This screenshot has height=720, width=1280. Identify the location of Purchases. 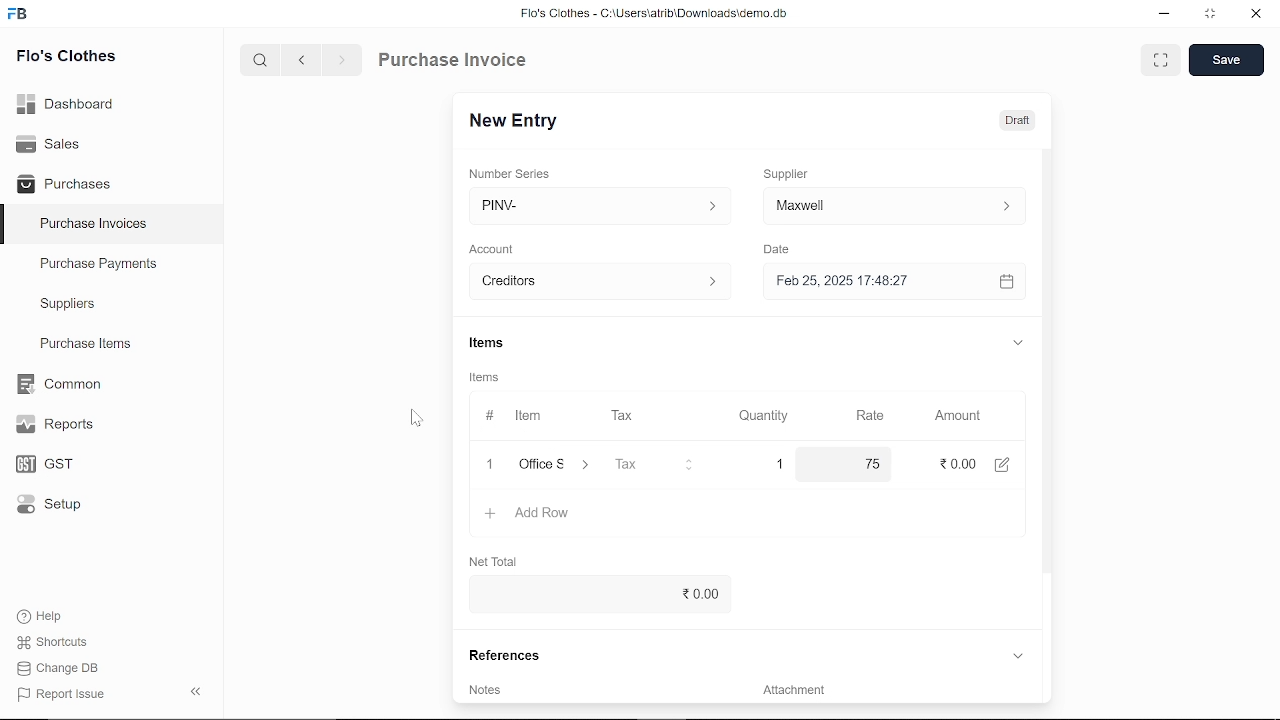
(64, 182).